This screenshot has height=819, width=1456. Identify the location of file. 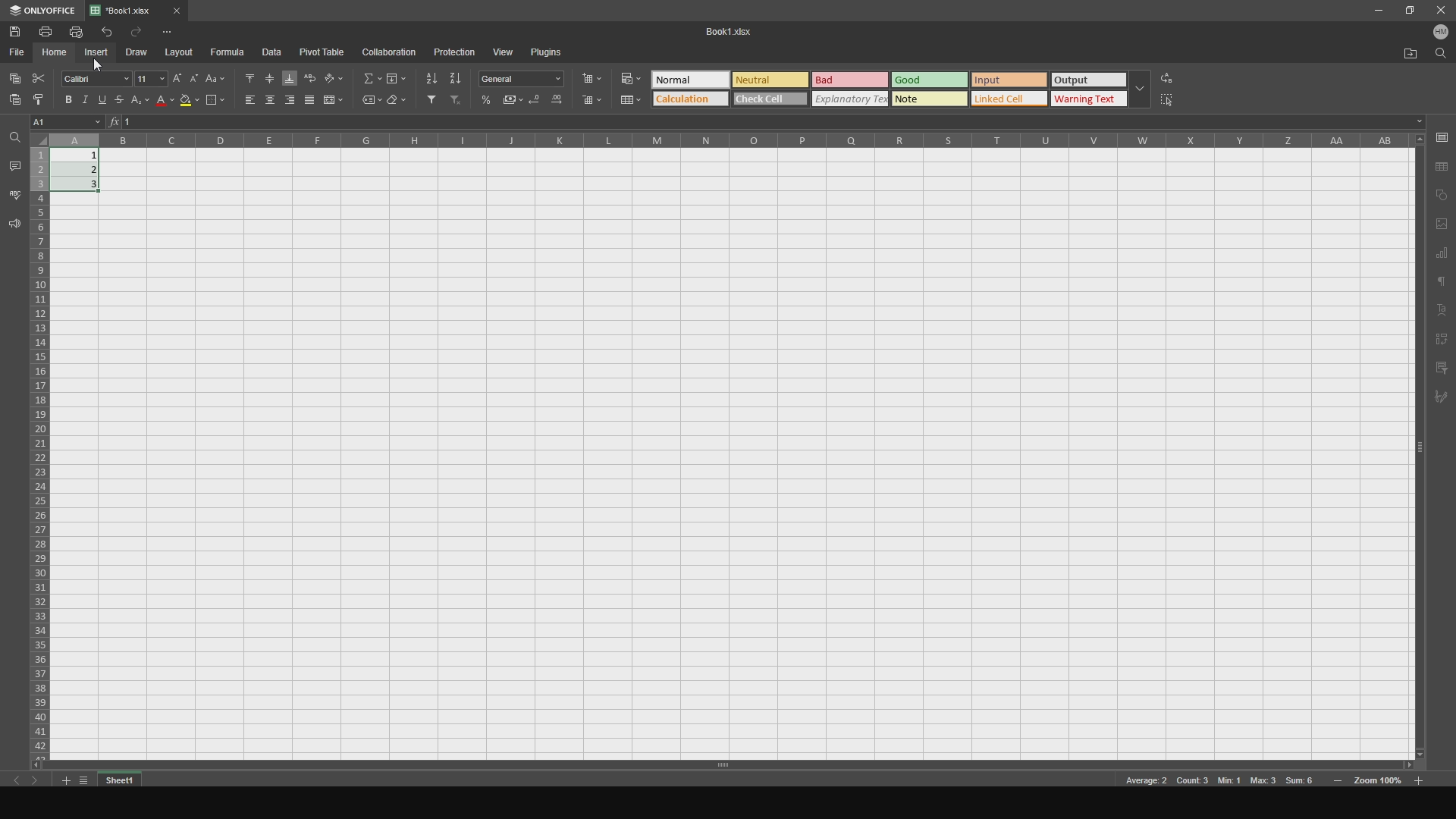
(18, 52).